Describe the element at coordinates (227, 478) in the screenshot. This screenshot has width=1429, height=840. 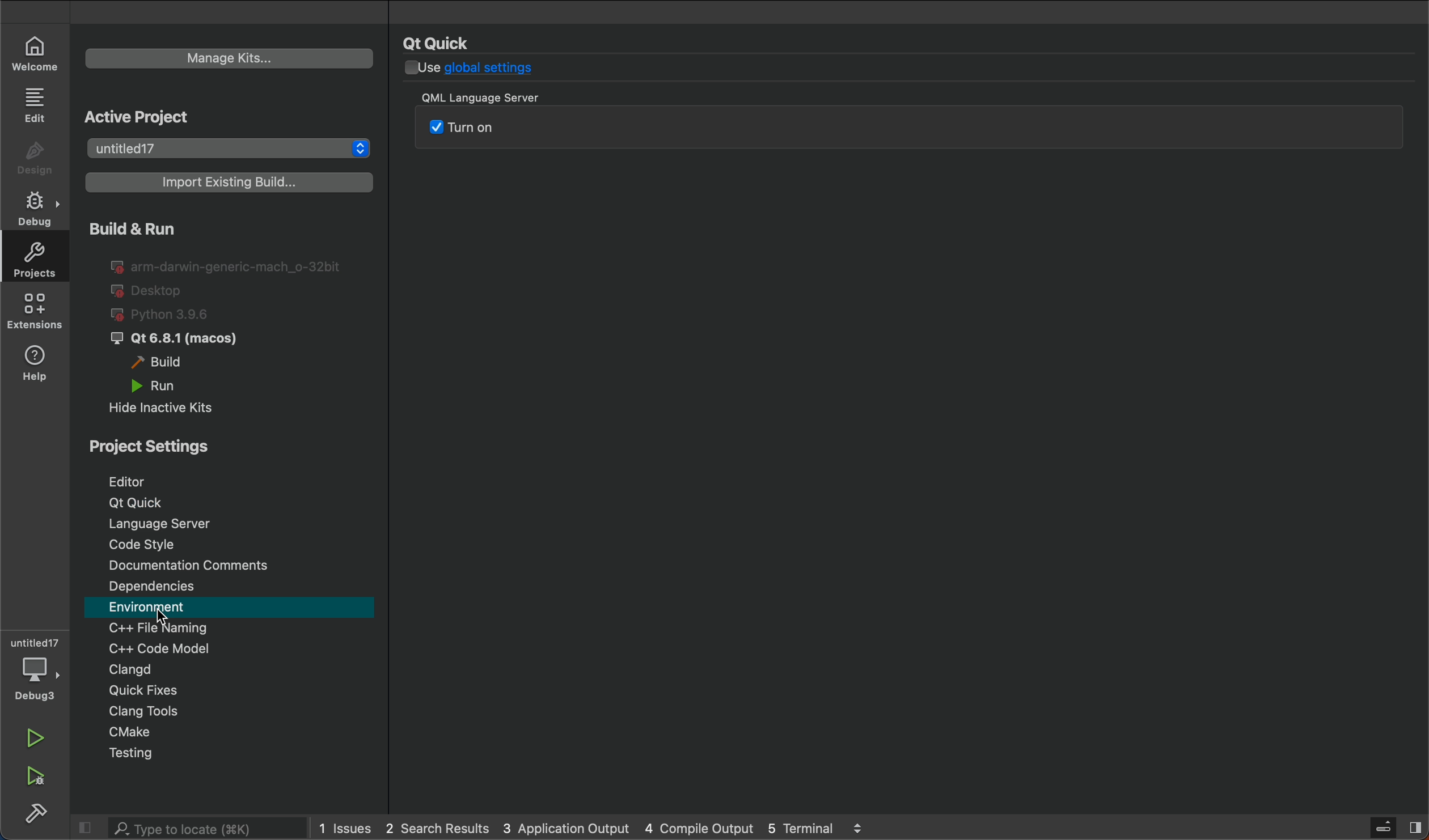
I see `editor` at that location.